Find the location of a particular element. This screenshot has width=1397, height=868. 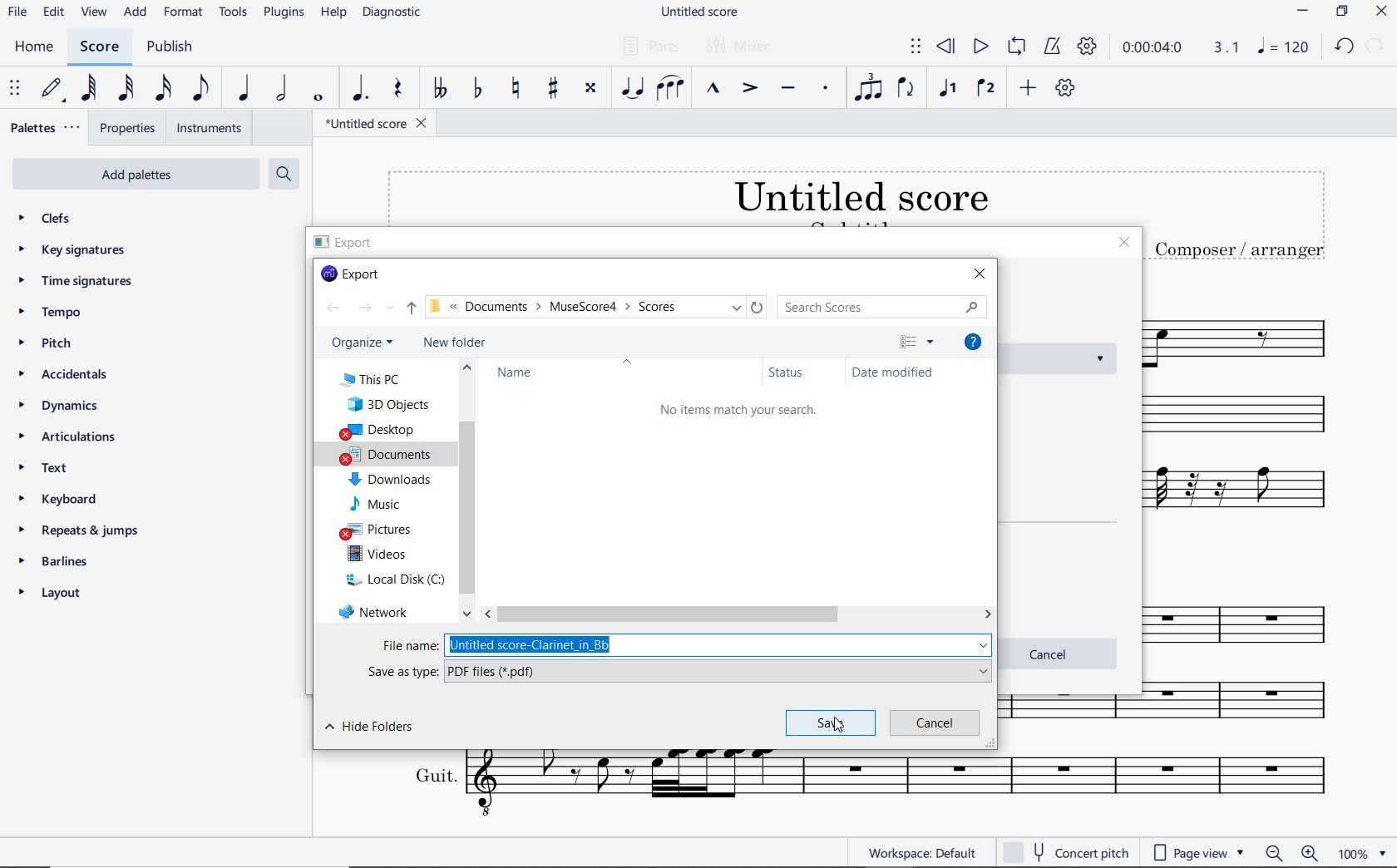

REWIND is located at coordinates (949, 47).